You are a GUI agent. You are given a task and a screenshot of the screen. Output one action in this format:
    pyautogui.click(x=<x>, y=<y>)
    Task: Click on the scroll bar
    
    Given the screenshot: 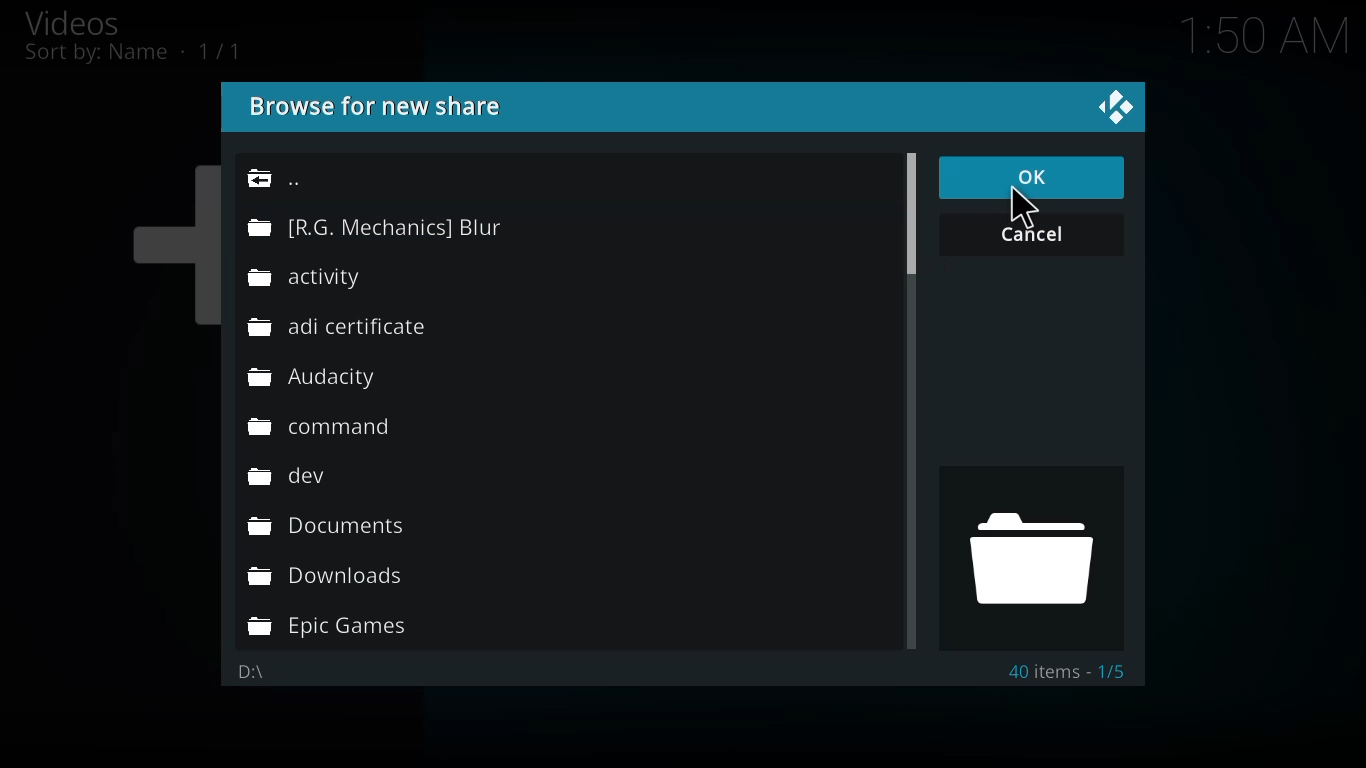 What is the action you would take?
    pyautogui.click(x=911, y=219)
    